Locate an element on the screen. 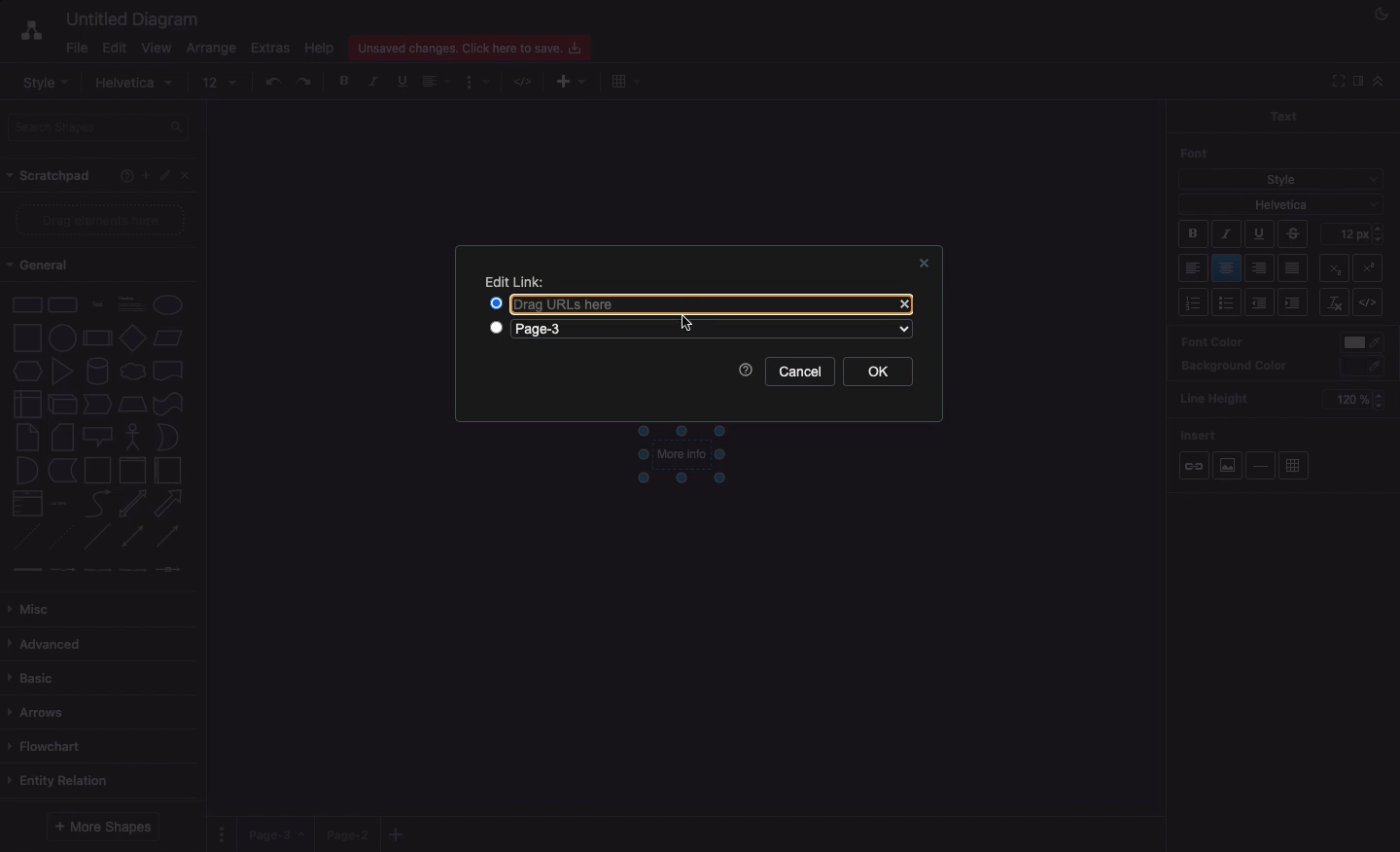 This screenshot has height=852, width=1400. arrow is located at coordinates (169, 504).